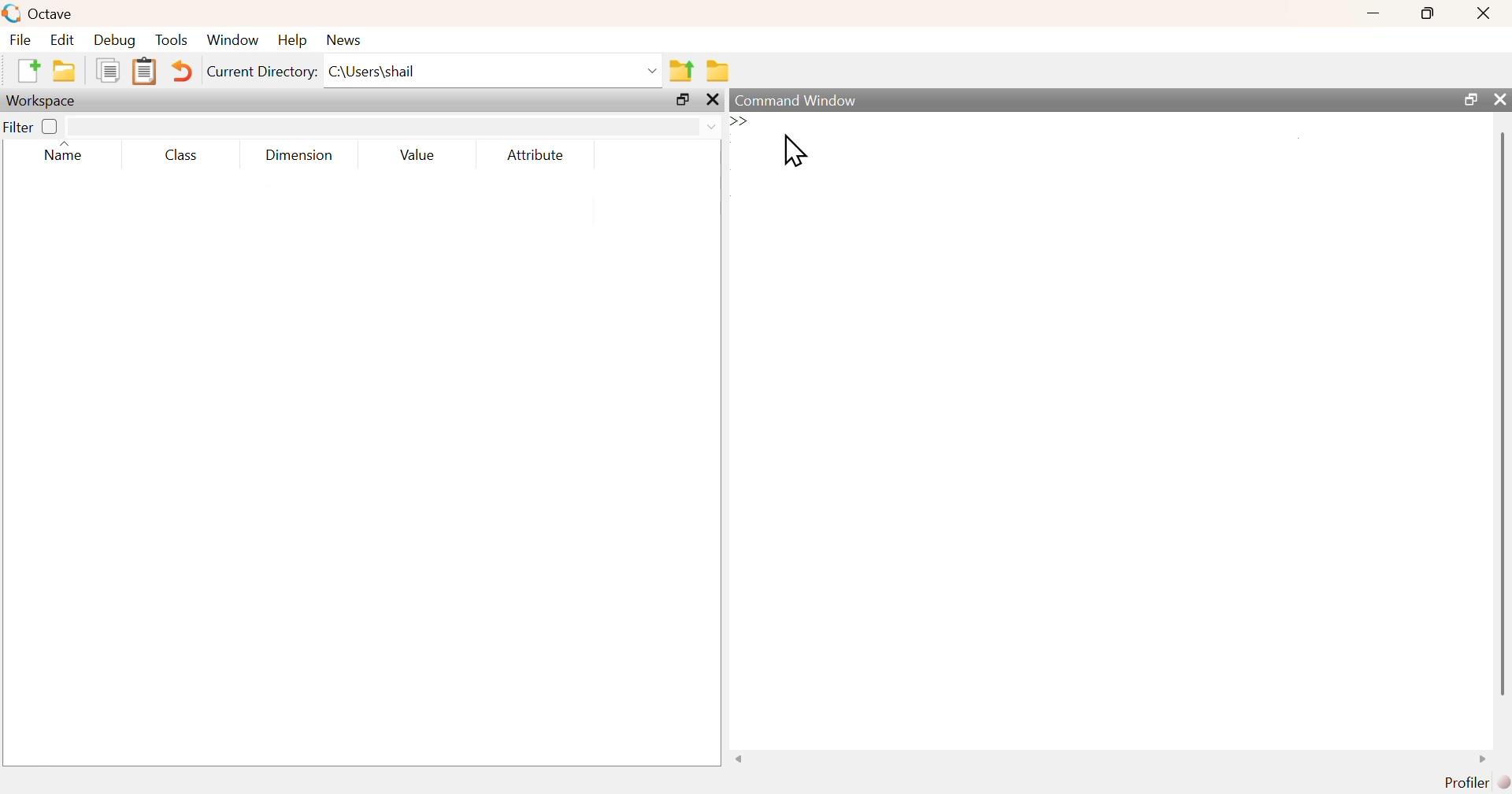 The height and width of the screenshot is (794, 1512). What do you see at coordinates (796, 101) in the screenshot?
I see `Command Window` at bounding box center [796, 101].